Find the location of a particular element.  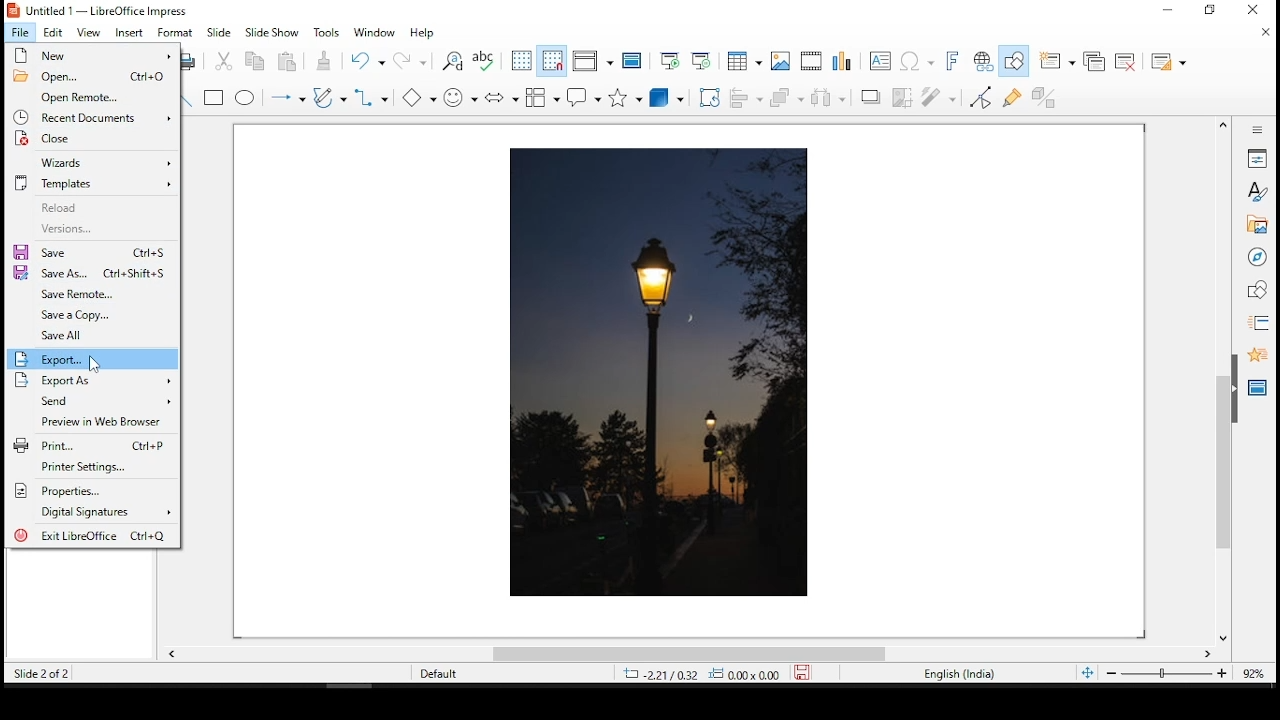

sidebar settings is located at coordinates (1253, 130).